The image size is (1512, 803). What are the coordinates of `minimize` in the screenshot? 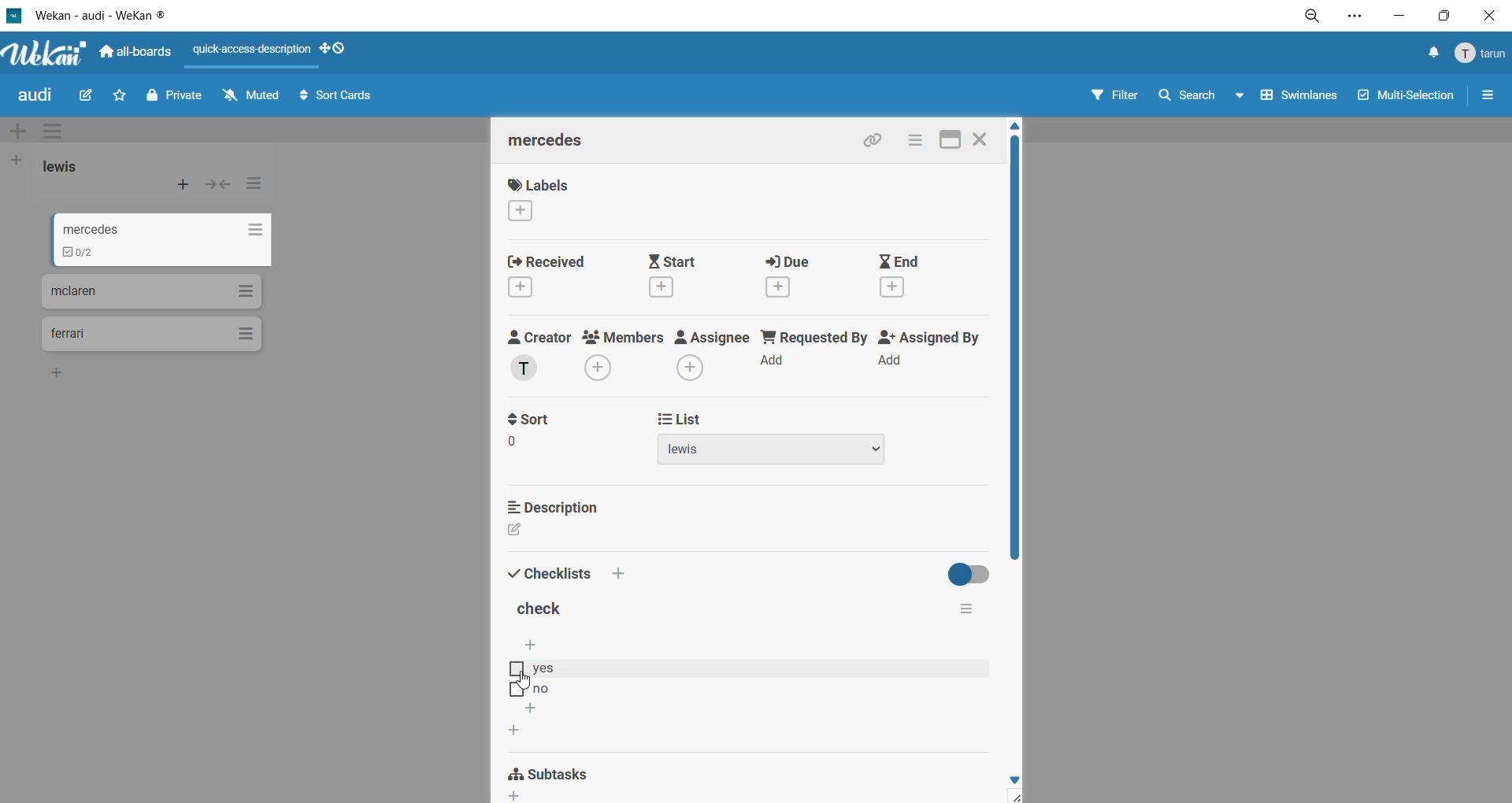 It's located at (1404, 14).